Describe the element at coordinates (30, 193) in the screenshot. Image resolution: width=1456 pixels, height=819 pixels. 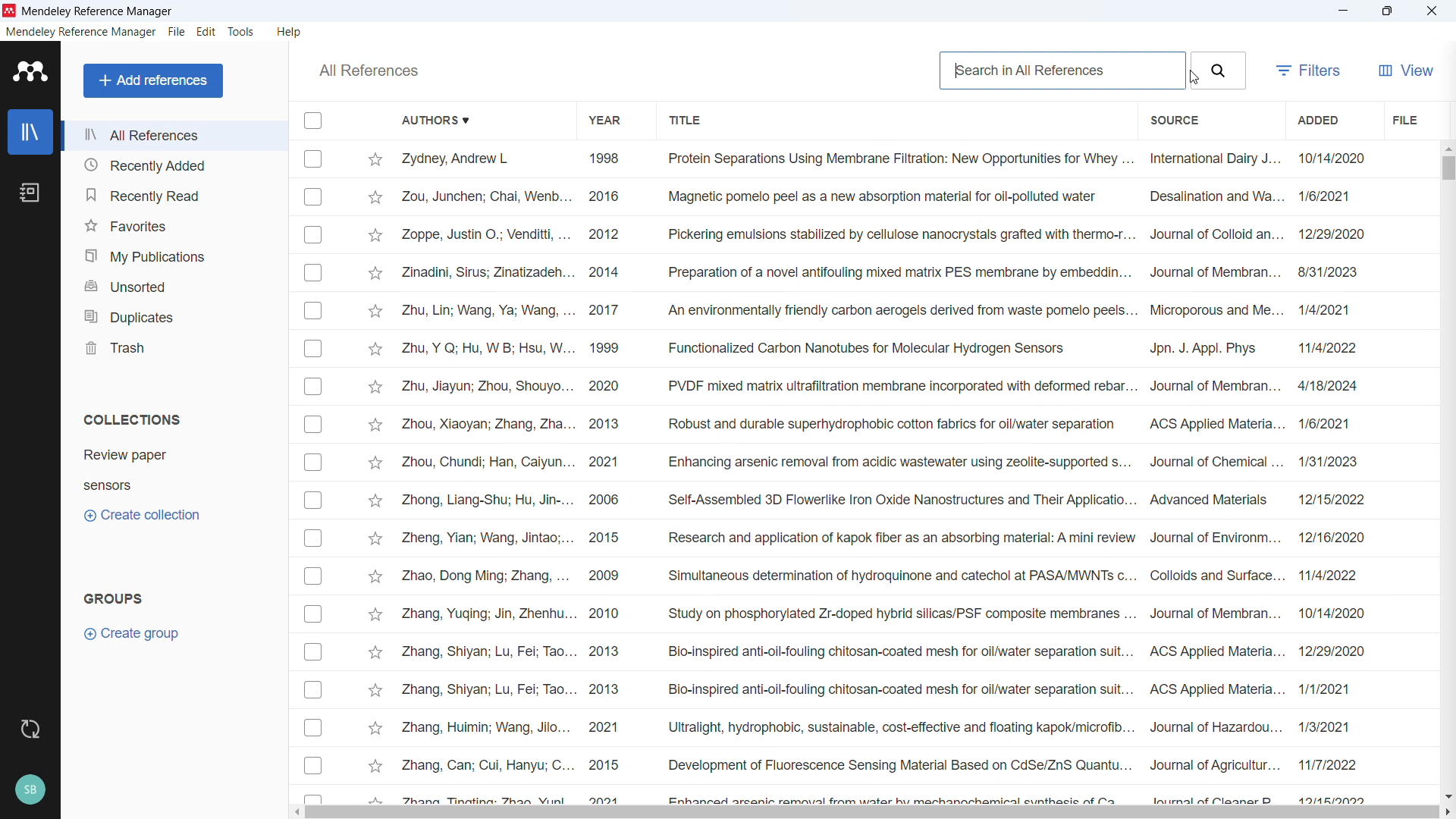
I see `notebook` at that location.